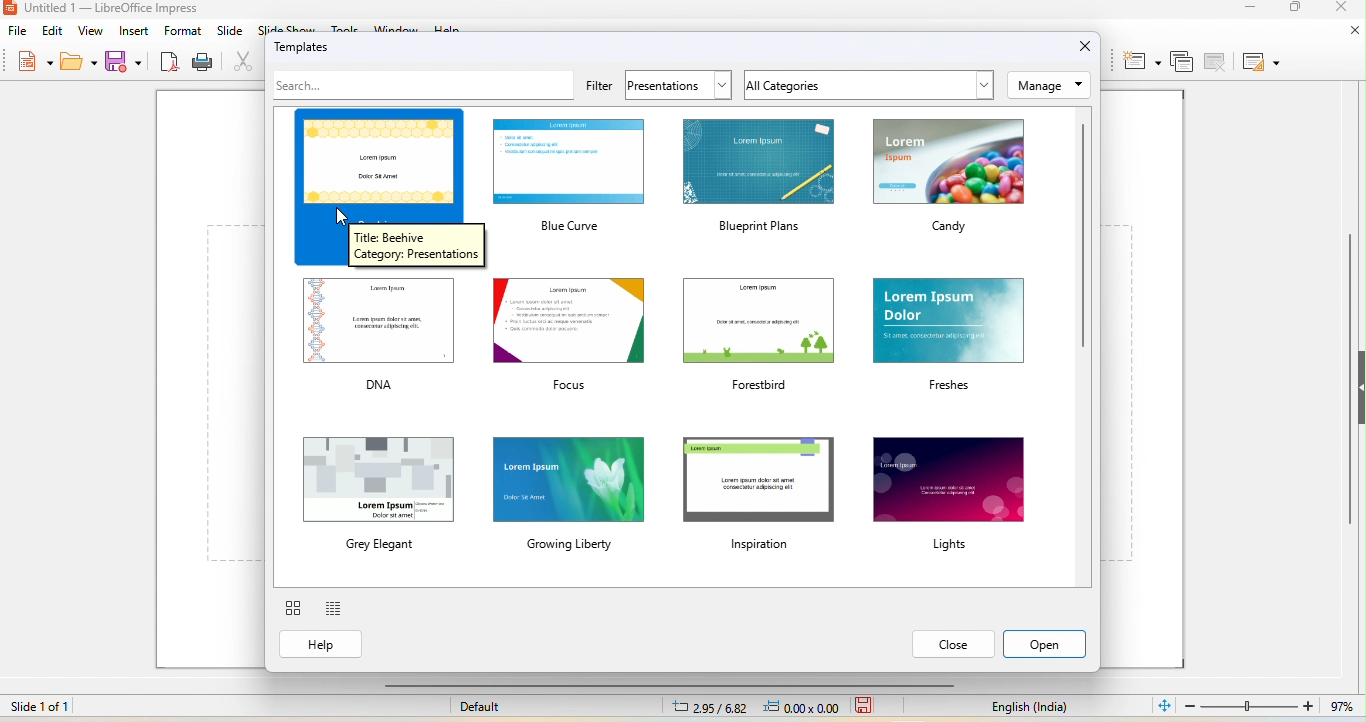 The width and height of the screenshot is (1366, 722). Describe the element at coordinates (53, 30) in the screenshot. I see `edit` at that location.